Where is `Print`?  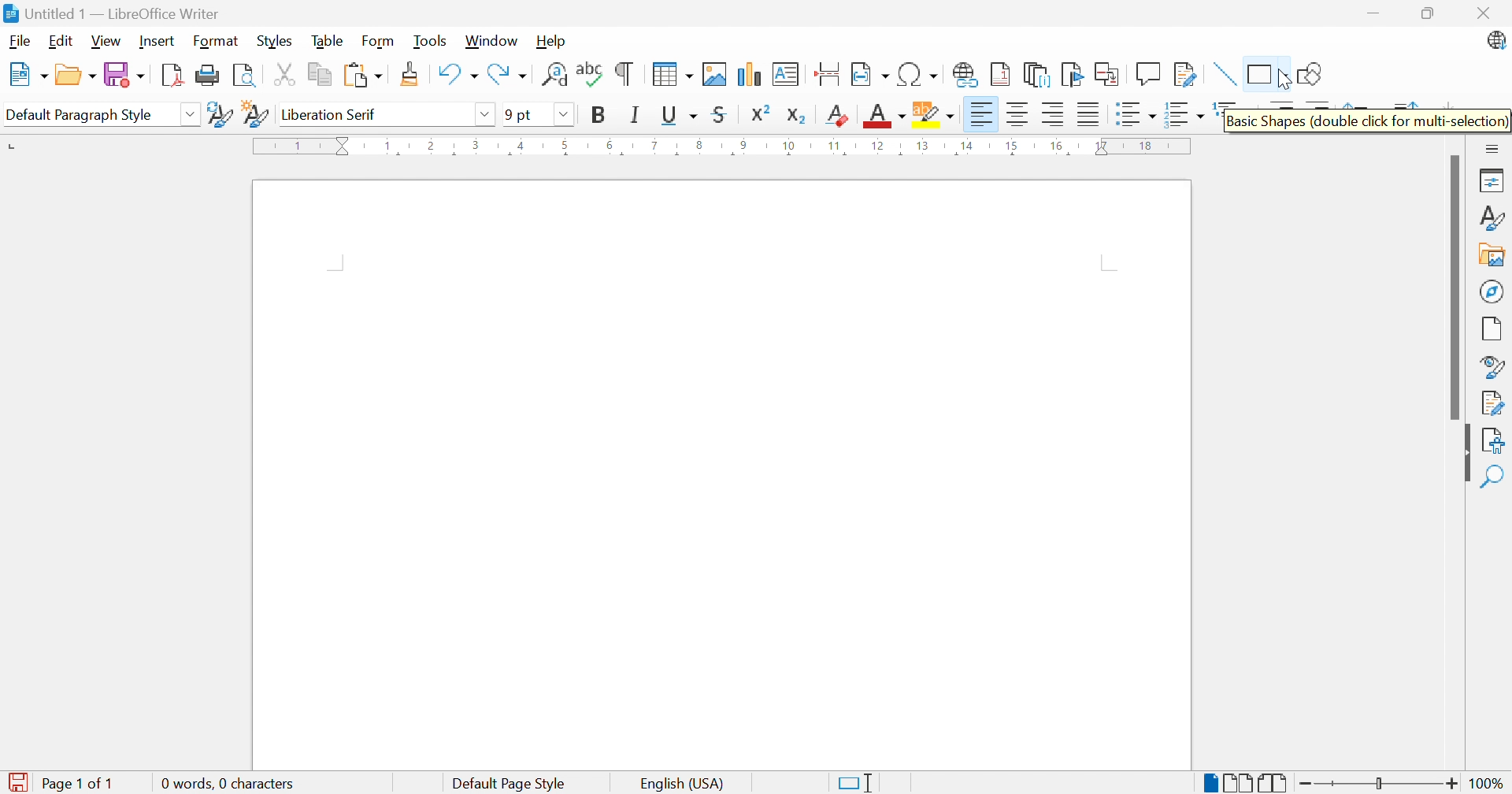 Print is located at coordinates (209, 74).